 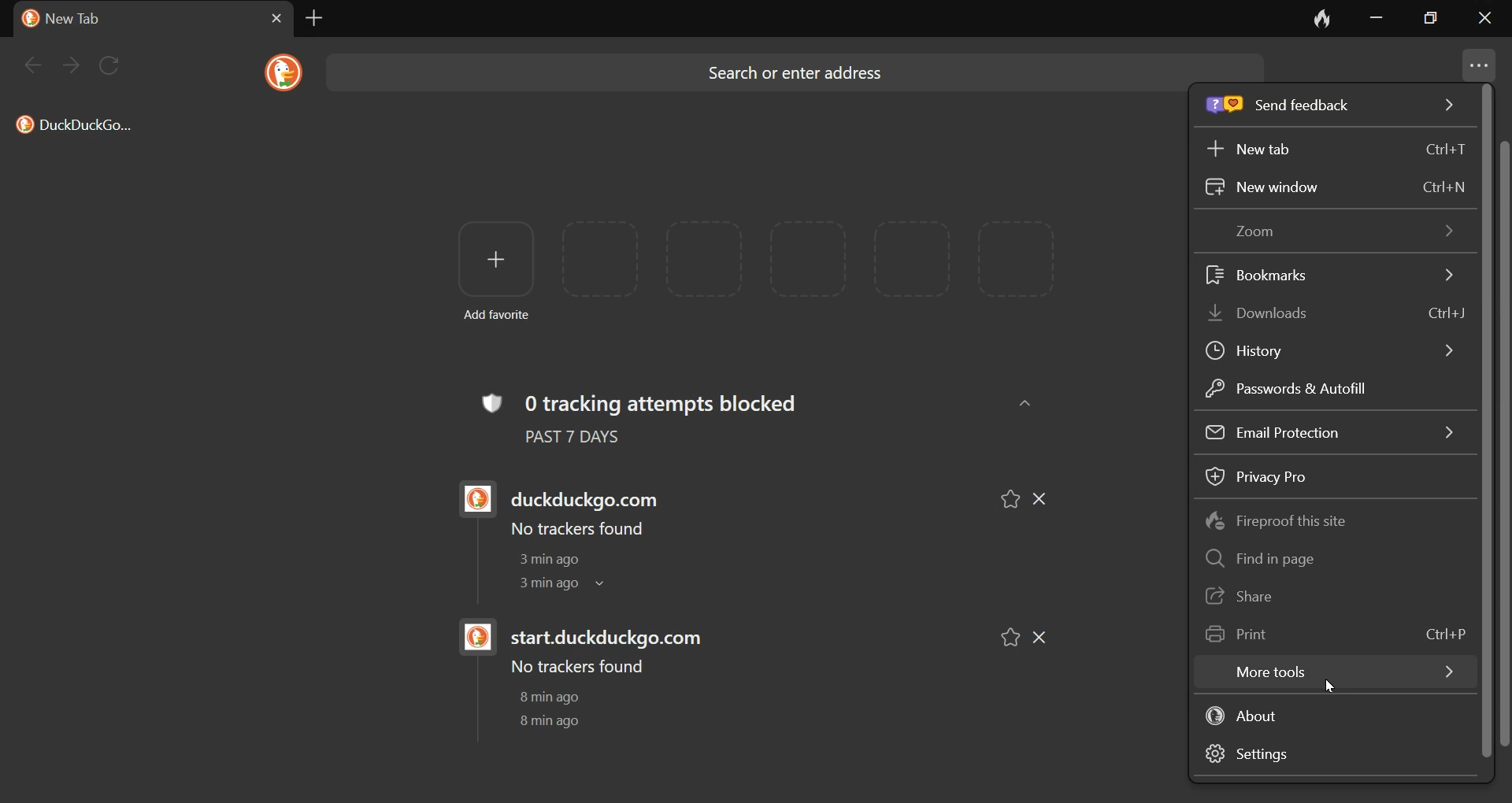 I want to click on Passwords & Autofill, so click(x=1291, y=386).